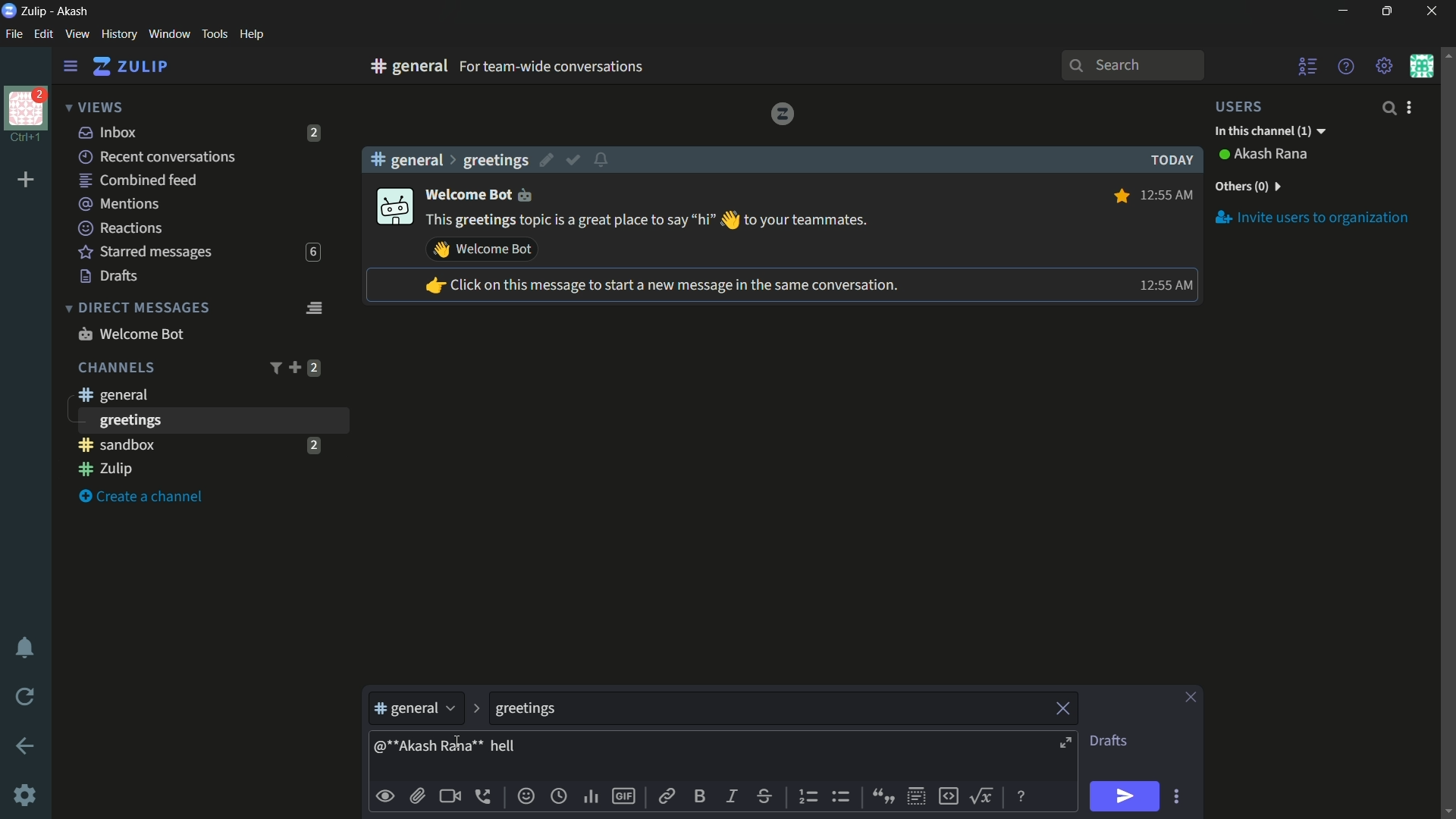 The image size is (1456, 819). Describe the element at coordinates (1389, 11) in the screenshot. I see `maximize or restore` at that location.